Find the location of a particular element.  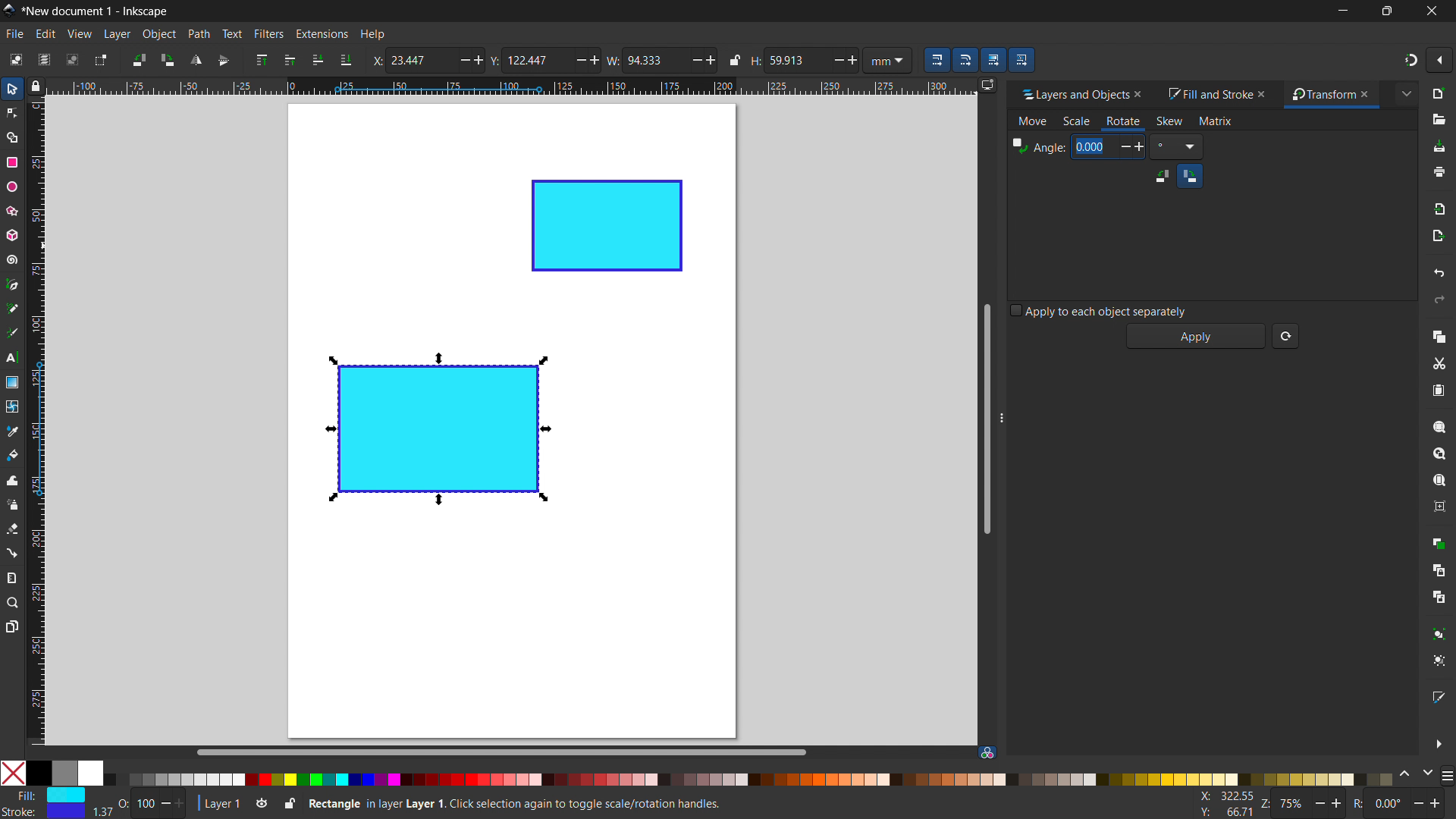

open is located at coordinates (1439, 120).